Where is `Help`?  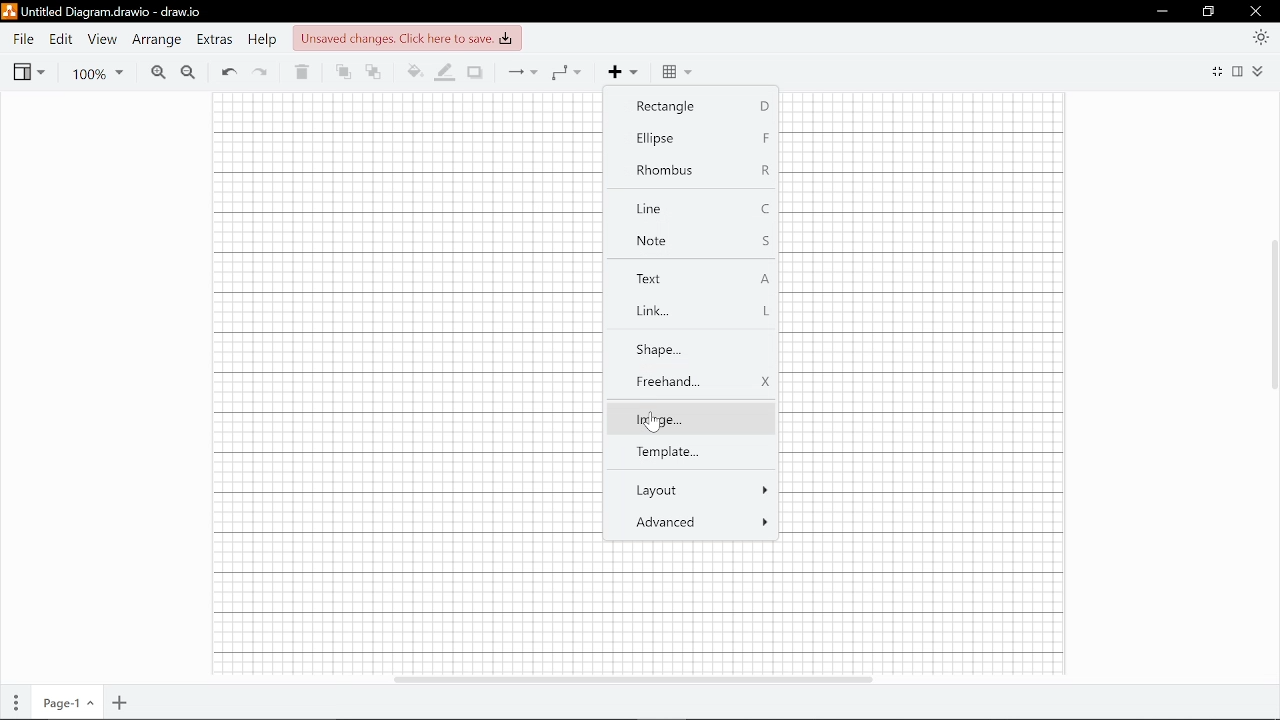
Help is located at coordinates (263, 41).